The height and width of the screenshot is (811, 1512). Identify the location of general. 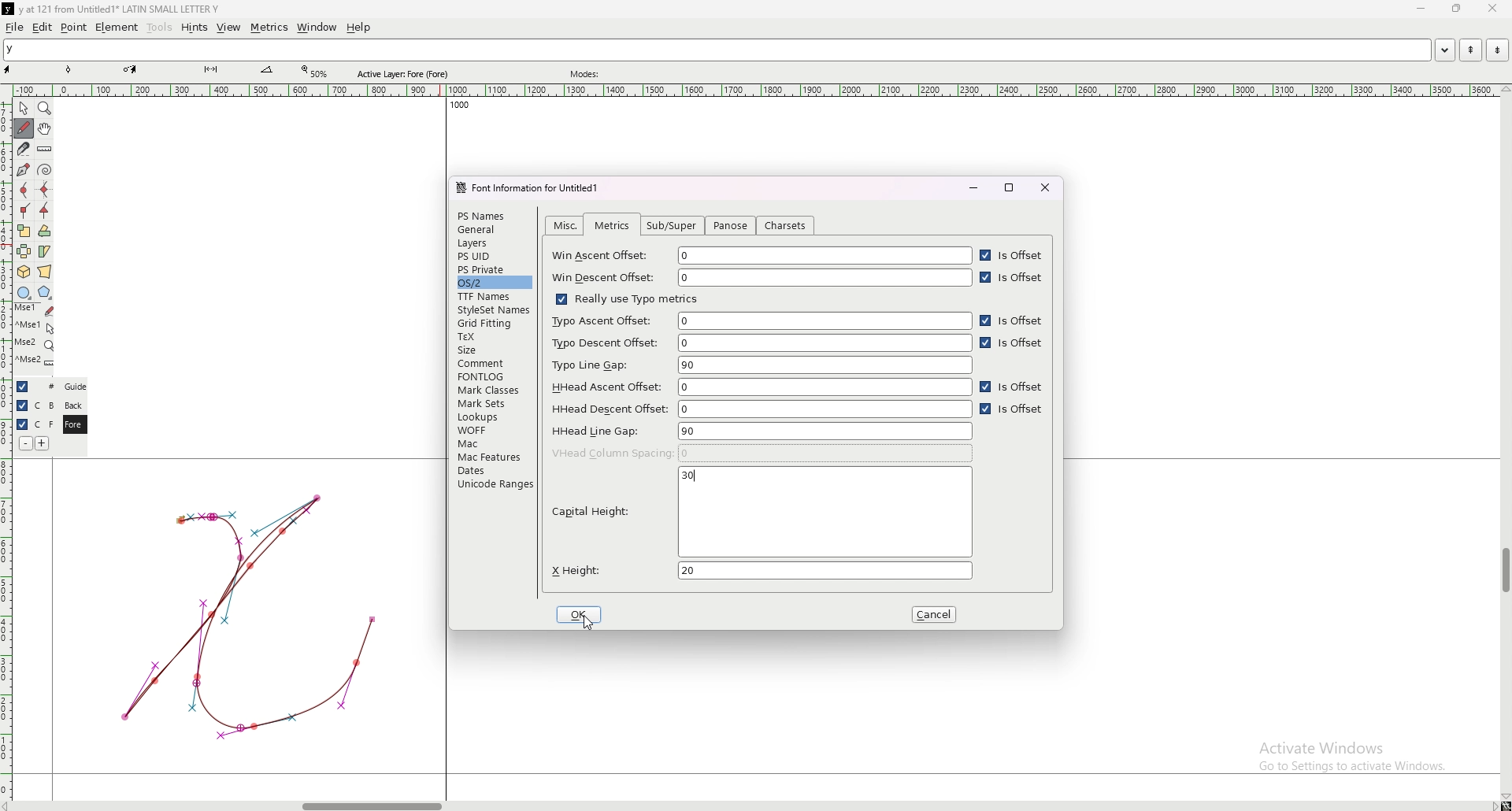
(494, 231).